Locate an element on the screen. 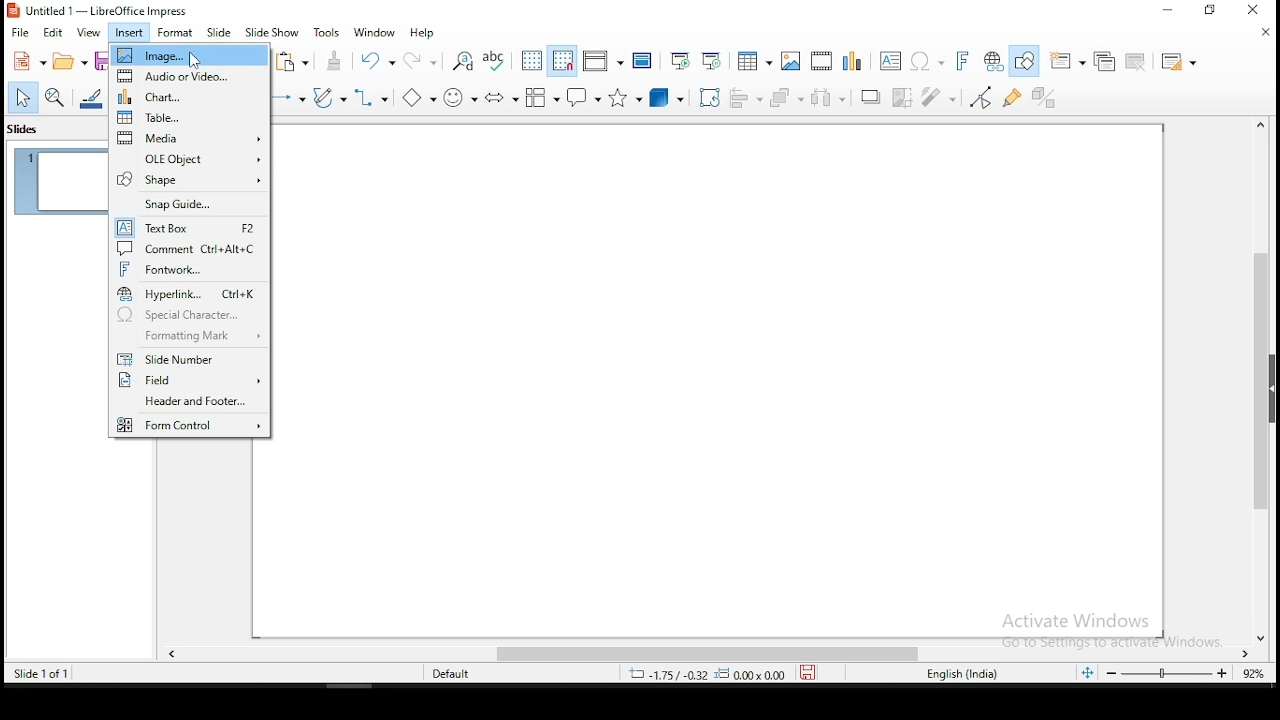  restore is located at coordinates (1212, 10).